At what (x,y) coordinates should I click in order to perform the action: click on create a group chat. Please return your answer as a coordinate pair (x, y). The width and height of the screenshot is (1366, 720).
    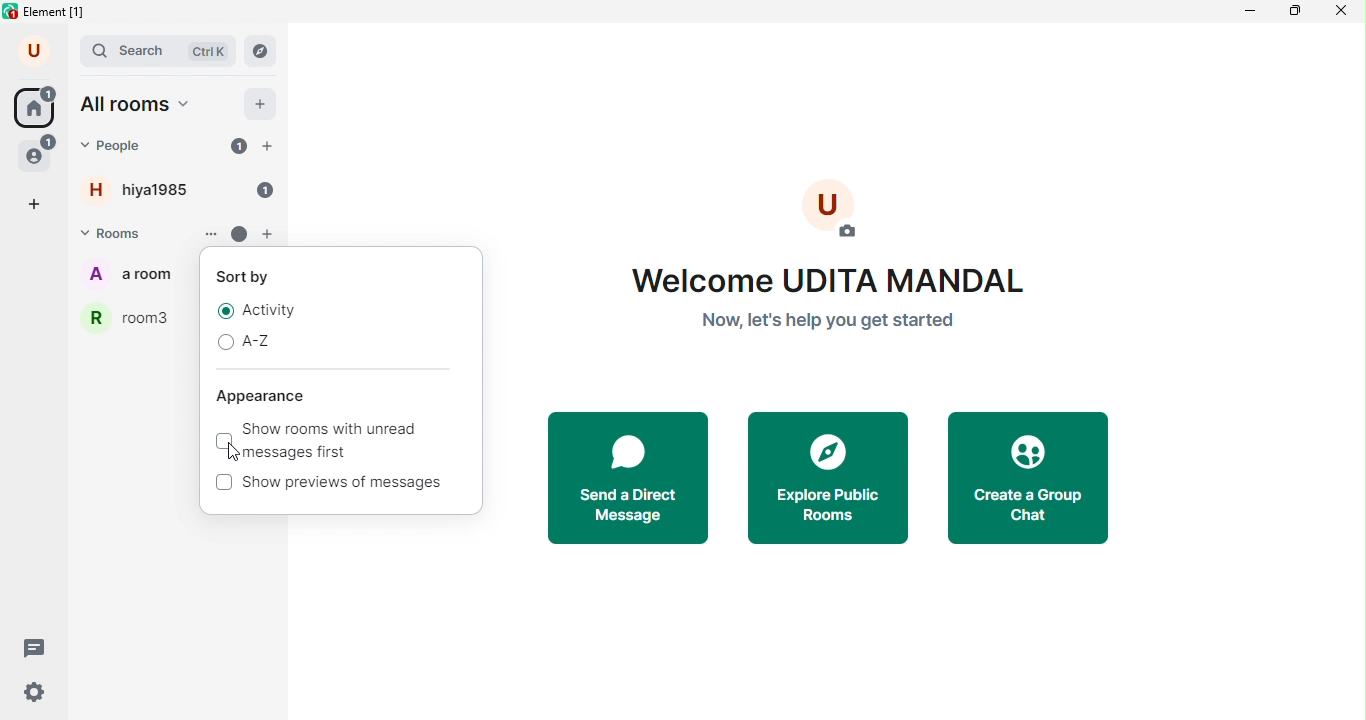
    Looking at the image, I should click on (1030, 477).